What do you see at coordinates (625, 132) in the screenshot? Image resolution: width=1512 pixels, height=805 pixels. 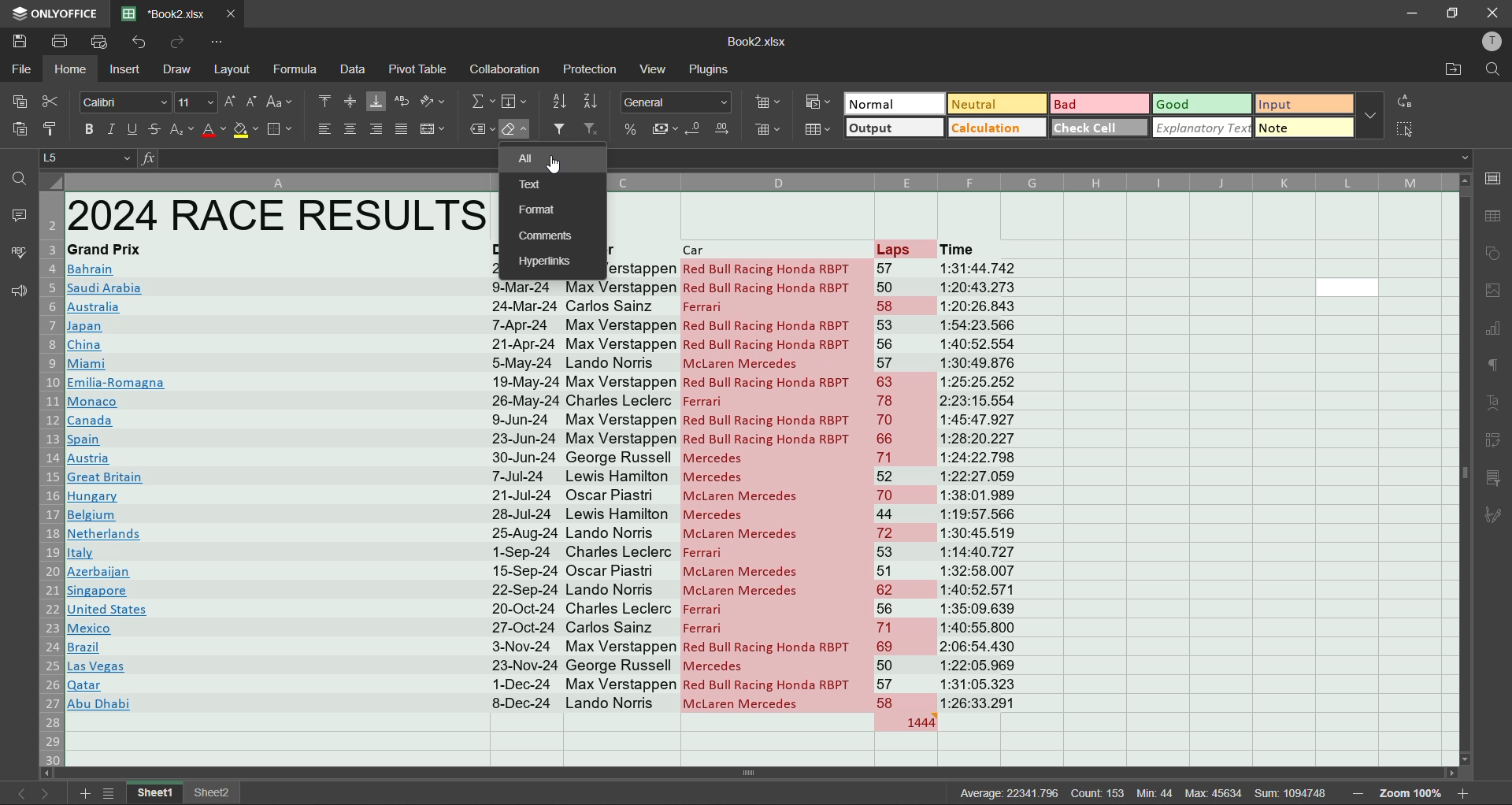 I see `percent` at bounding box center [625, 132].